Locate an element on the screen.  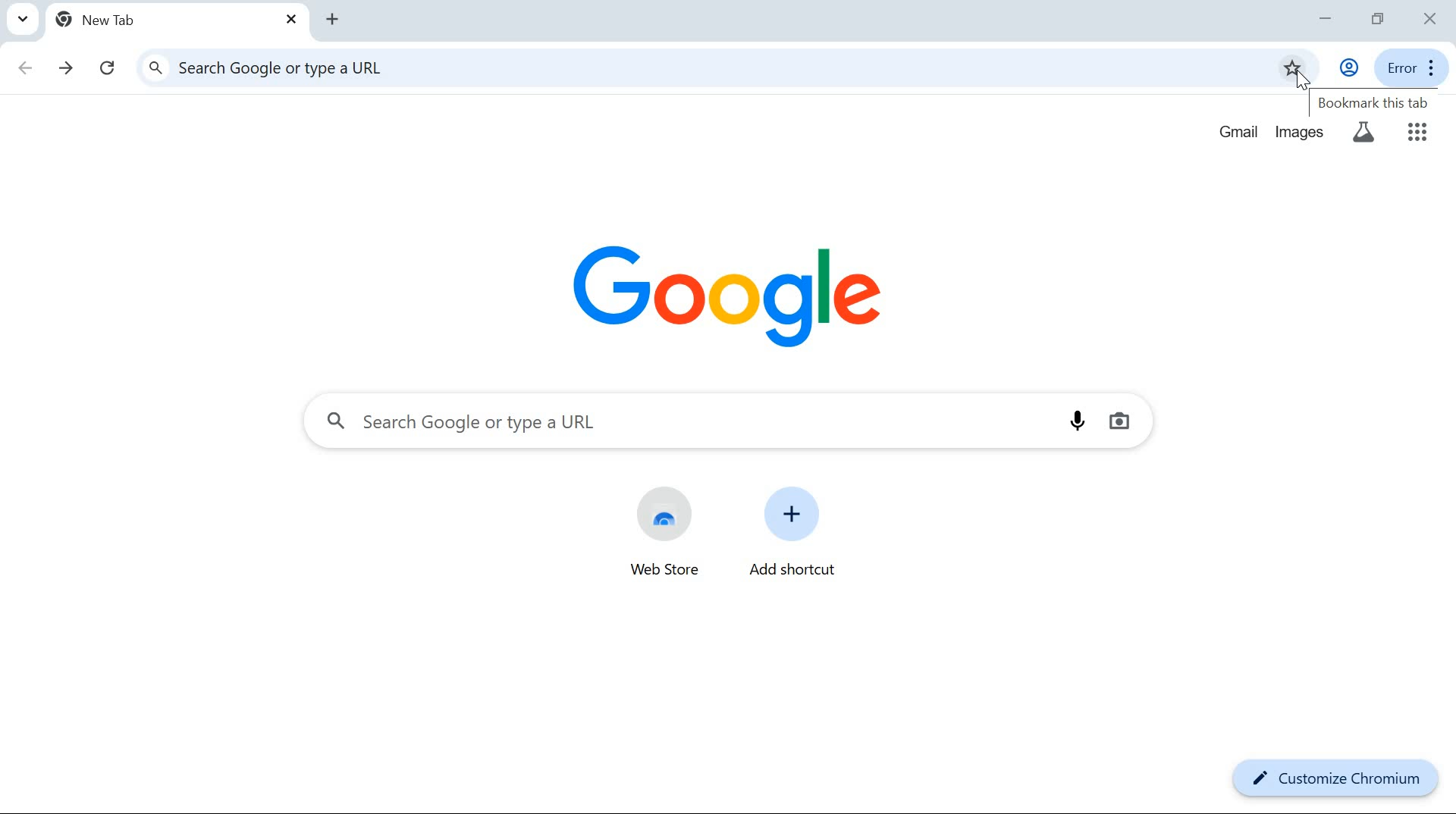
search tabs is located at coordinates (22, 19).